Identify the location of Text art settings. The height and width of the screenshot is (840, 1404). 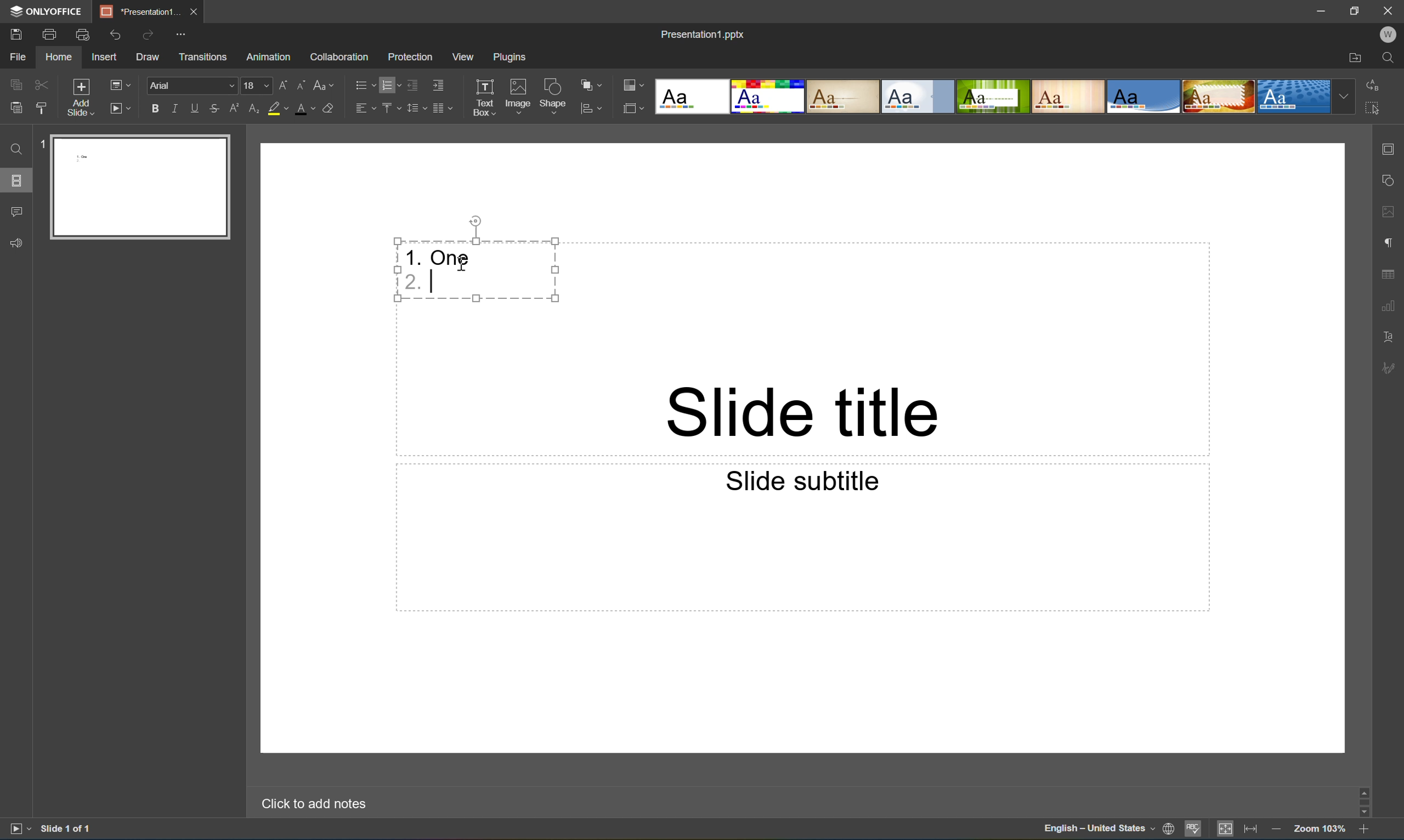
(1390, 336).